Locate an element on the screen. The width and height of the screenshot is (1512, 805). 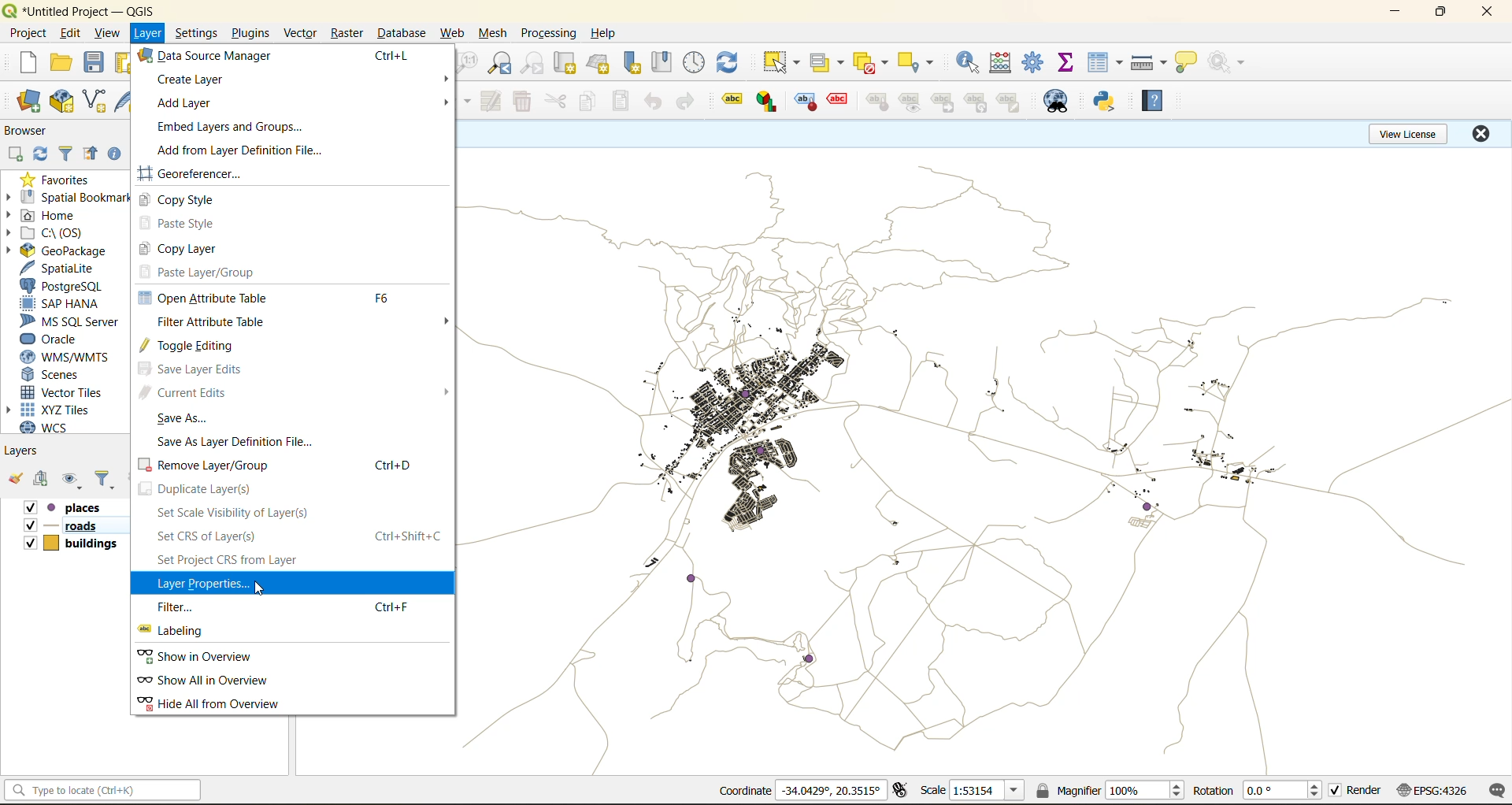
data source manager is located at coordinates (207, 55).